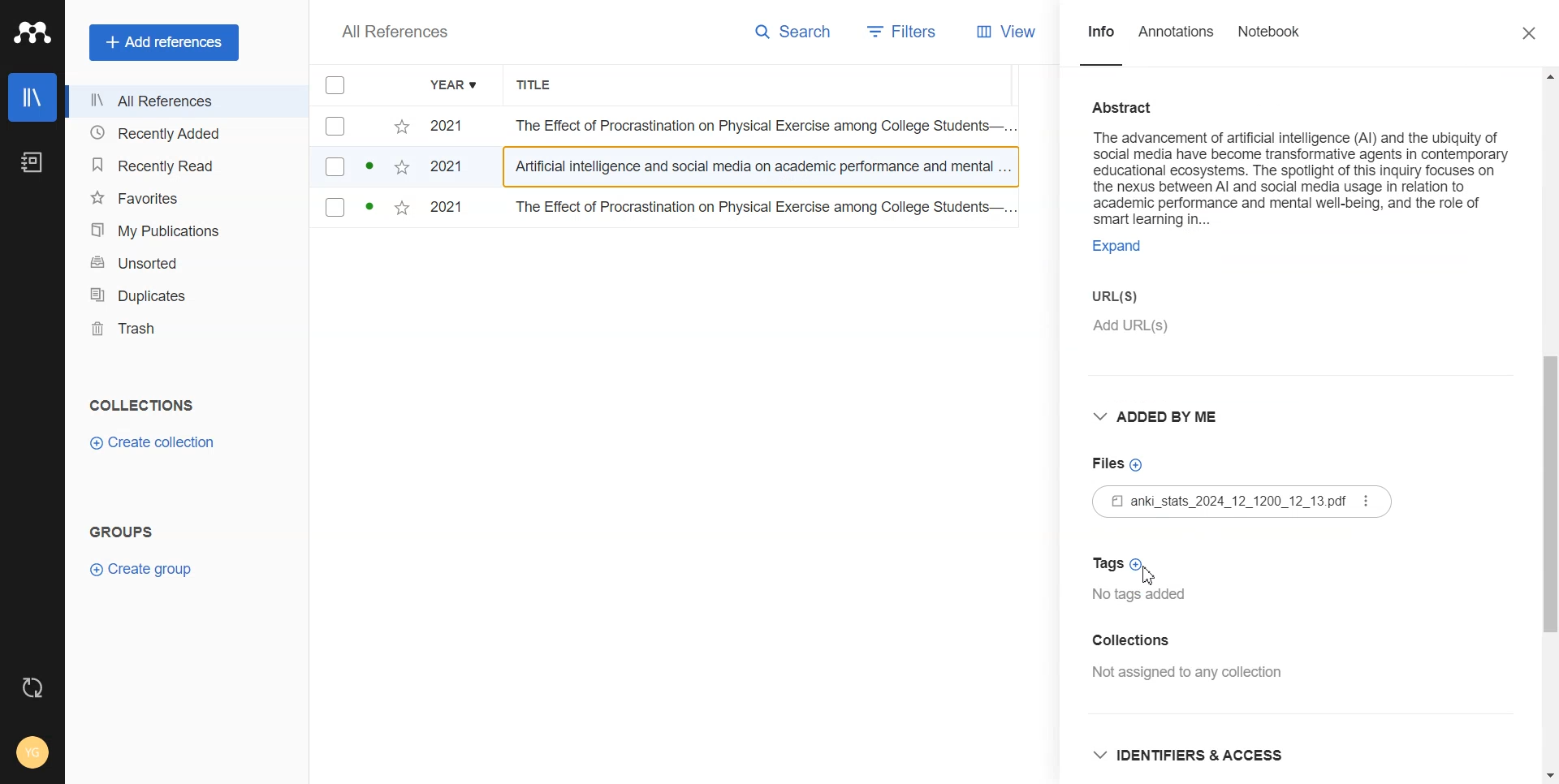 The width and height of the screenshot is (1559, 784). I want to click on Identifiers & Access, so click(1206, 756).